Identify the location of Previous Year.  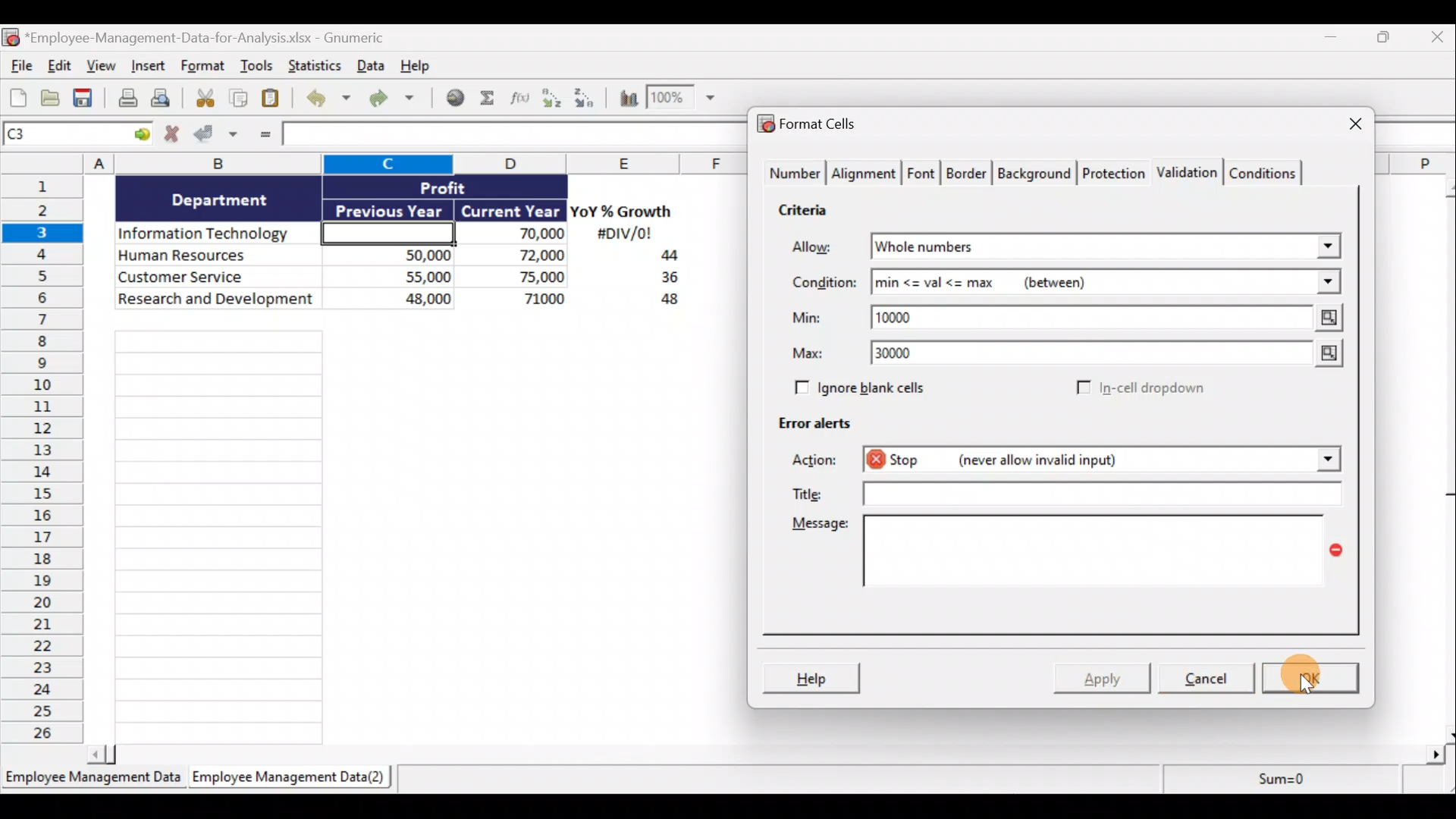
(390, 208).